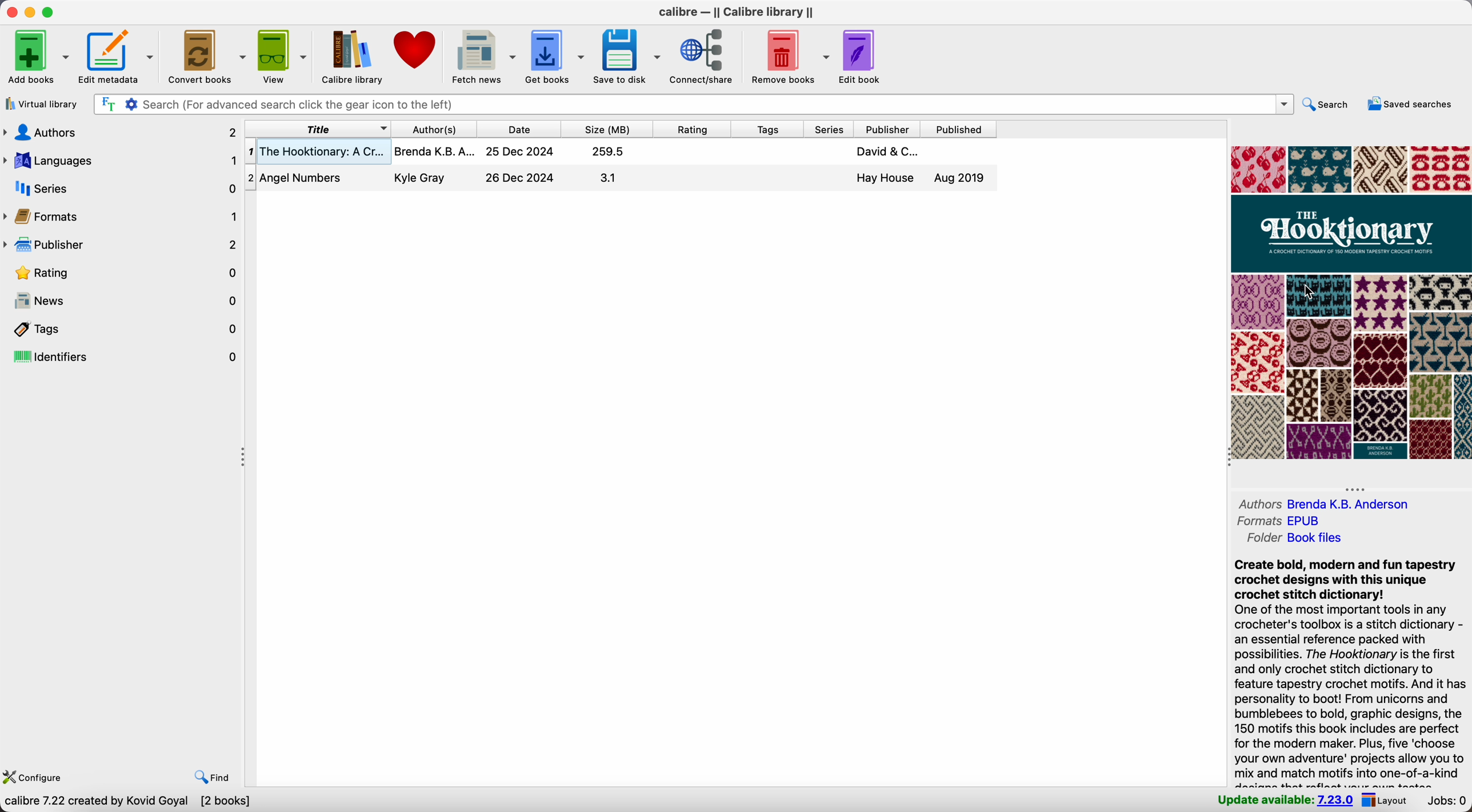 Image resolution: width=1472 pixels, height=812 pixels. What do you see at coordinates (214, 778) in the screenshot?
I see `find` at bounding box center [214, 778].